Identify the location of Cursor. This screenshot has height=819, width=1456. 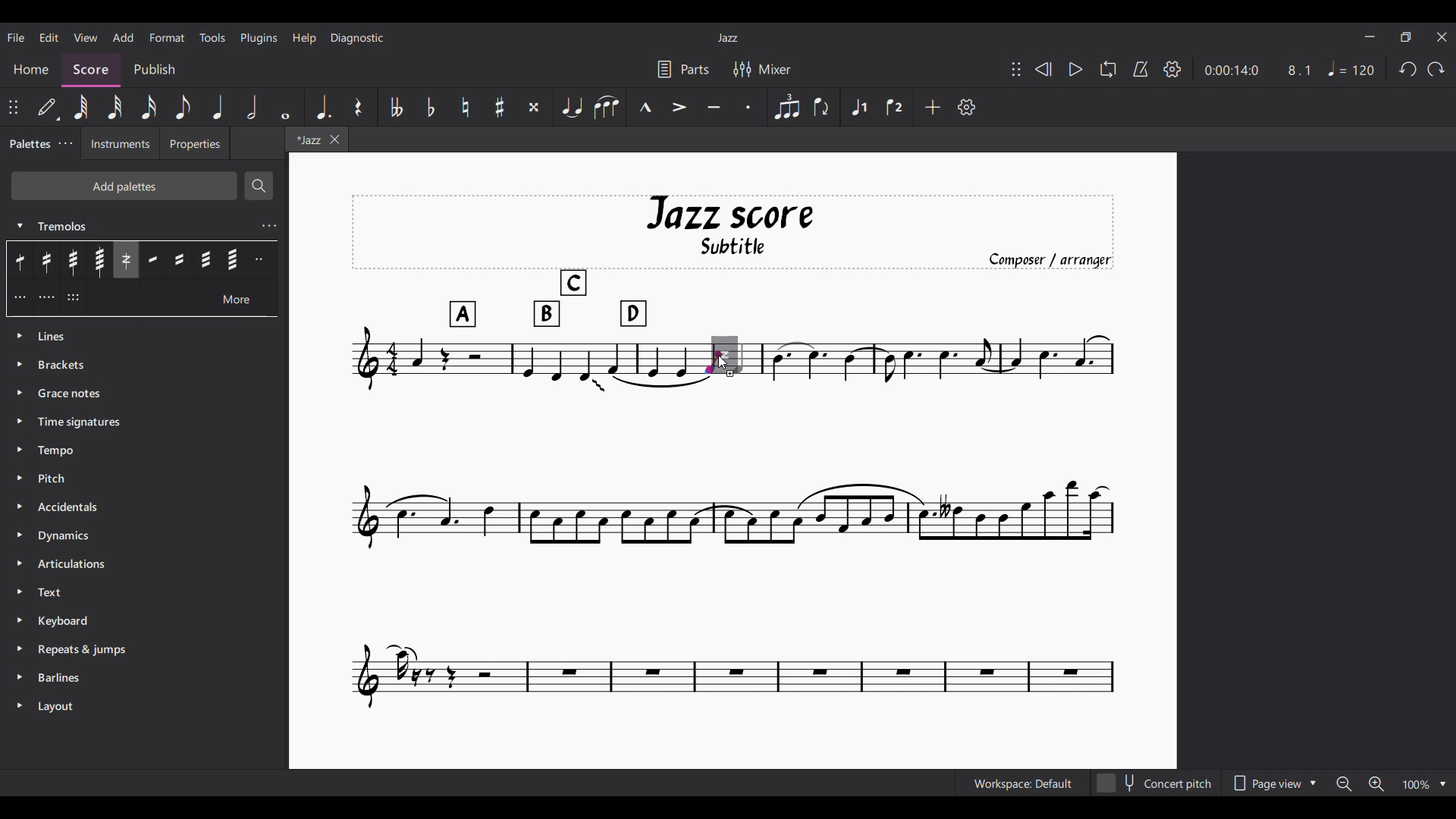
(724, 362).